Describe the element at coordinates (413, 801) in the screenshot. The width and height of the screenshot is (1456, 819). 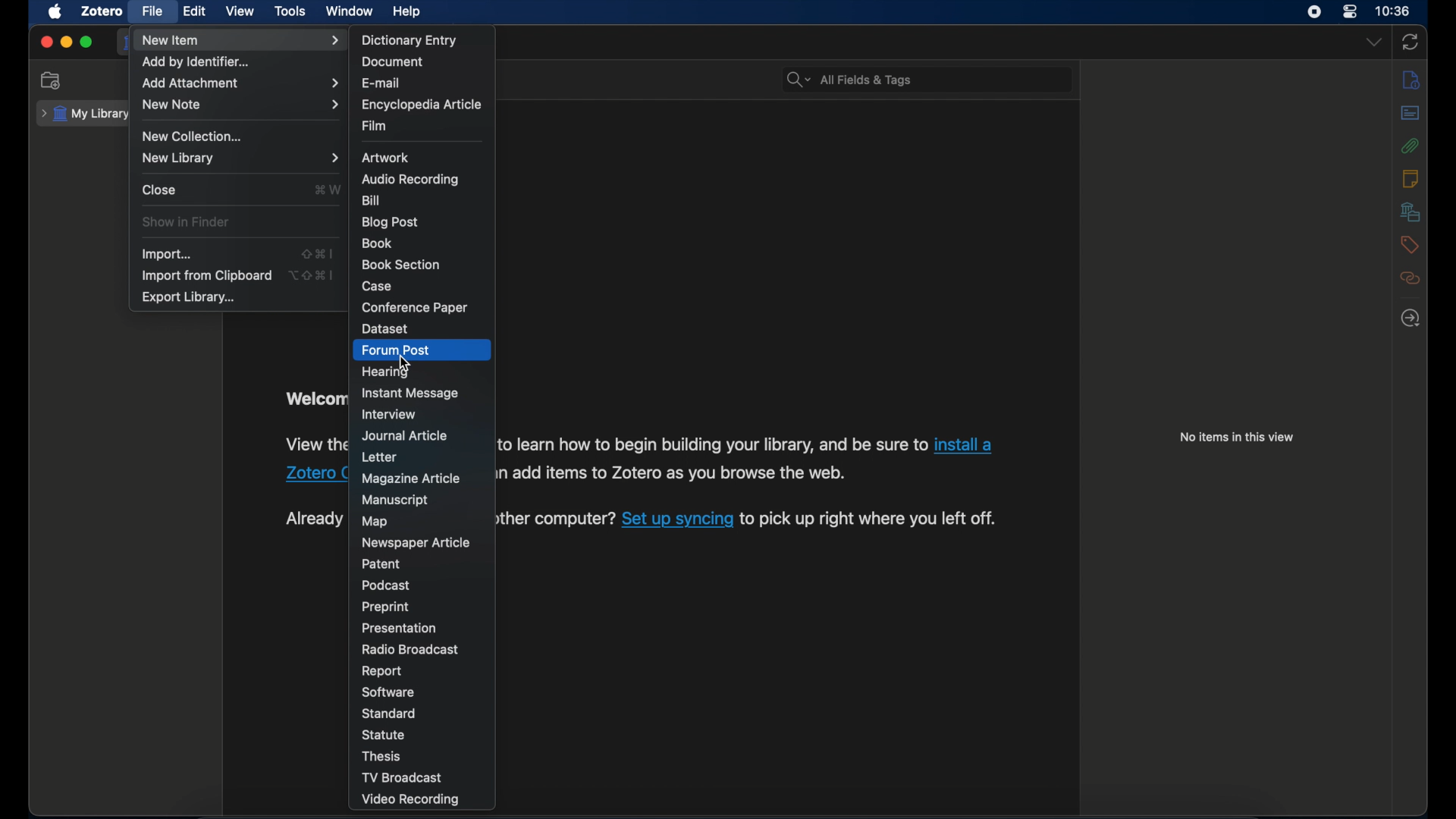
I see `video recording` at that location.